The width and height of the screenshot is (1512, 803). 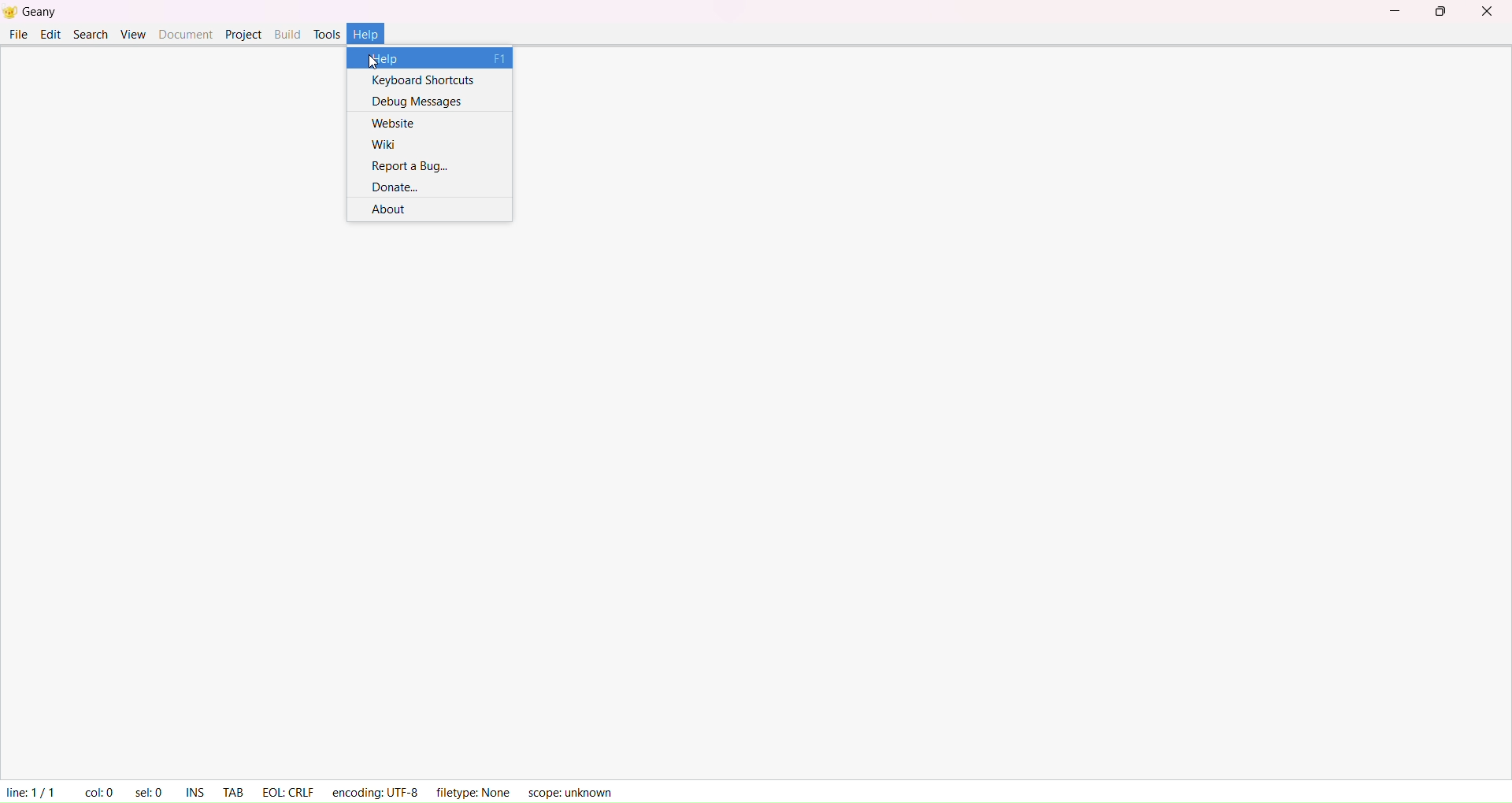 What do you see at coordinates (184, 32) in the screenshot?
I see `document` at bounding box center [184, 32].